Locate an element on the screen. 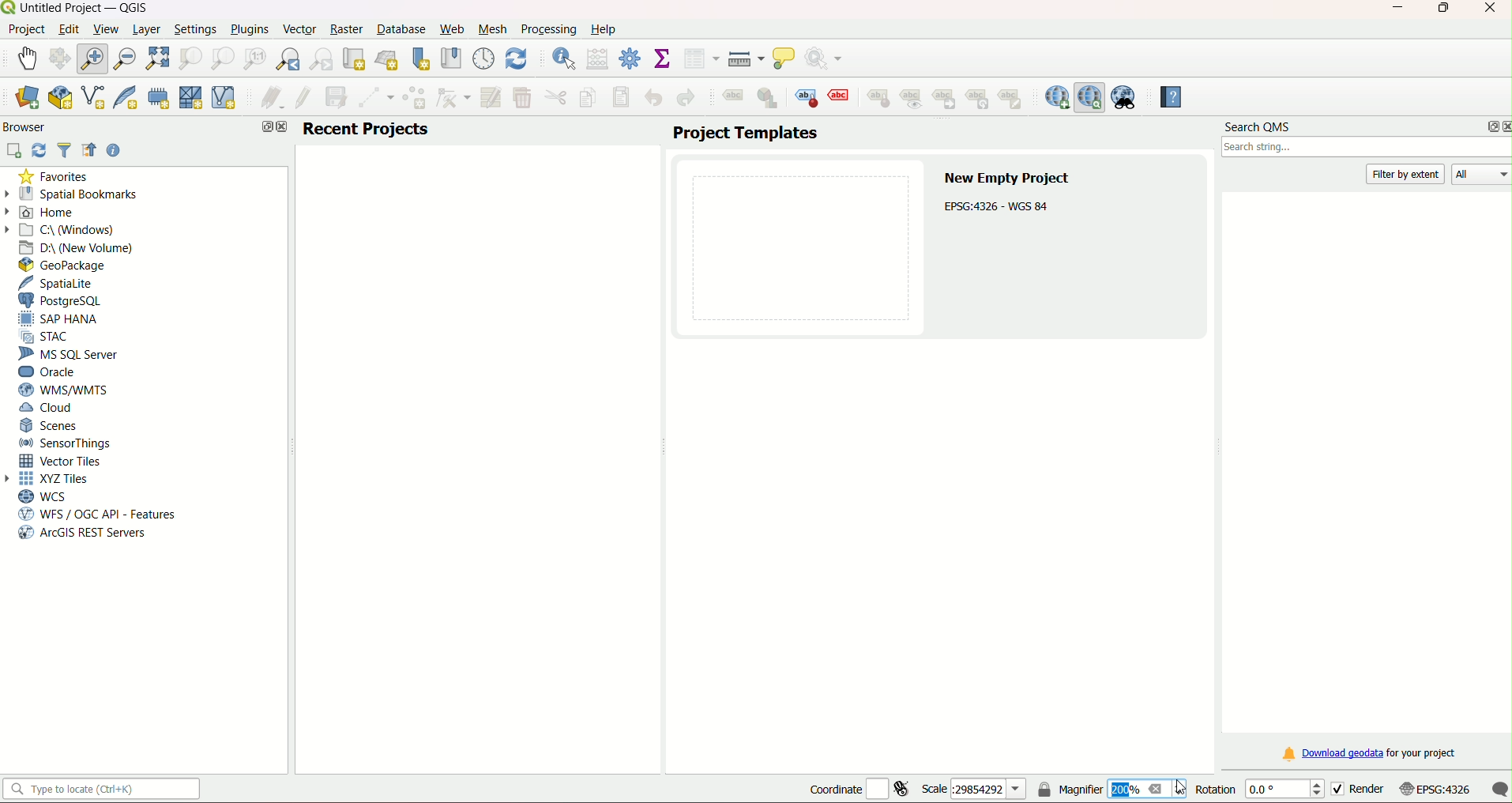 The height and width of the screenshot is (803, 1512). Project is located at coordinates (26, 30).